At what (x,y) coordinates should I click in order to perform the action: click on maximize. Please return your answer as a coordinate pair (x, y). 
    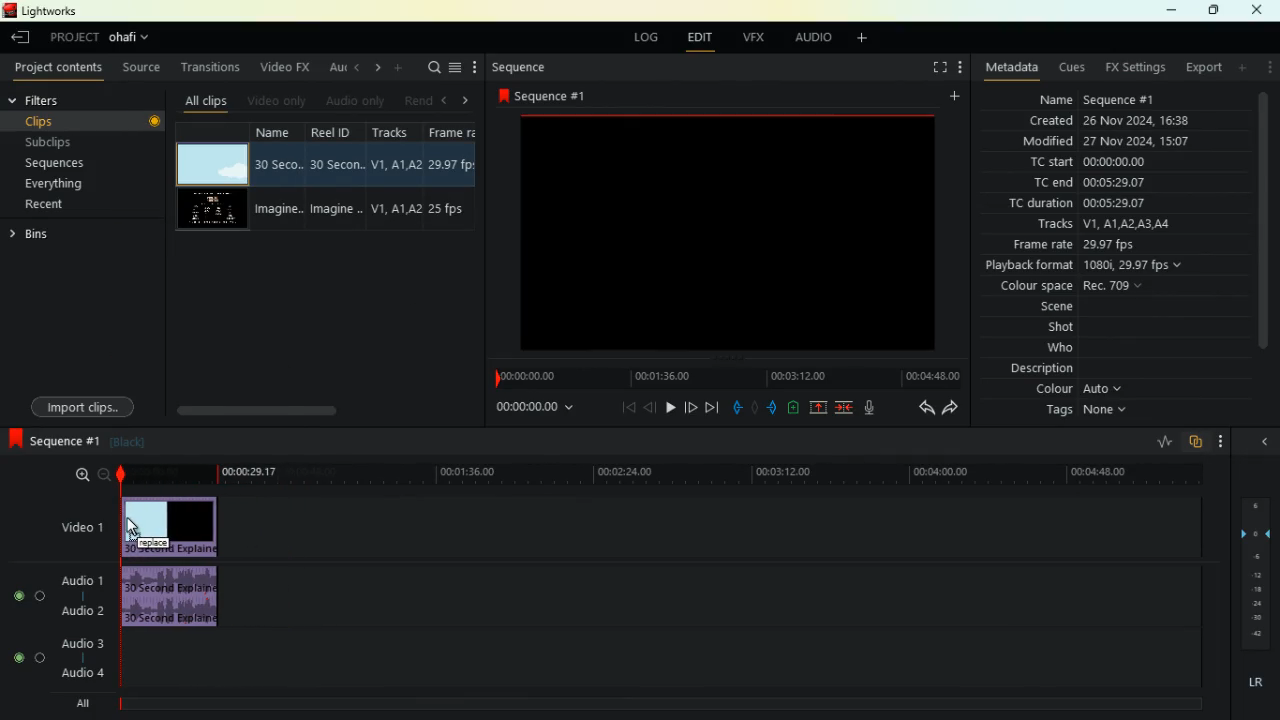
    Looking at the image, I should click on (1215, 11).